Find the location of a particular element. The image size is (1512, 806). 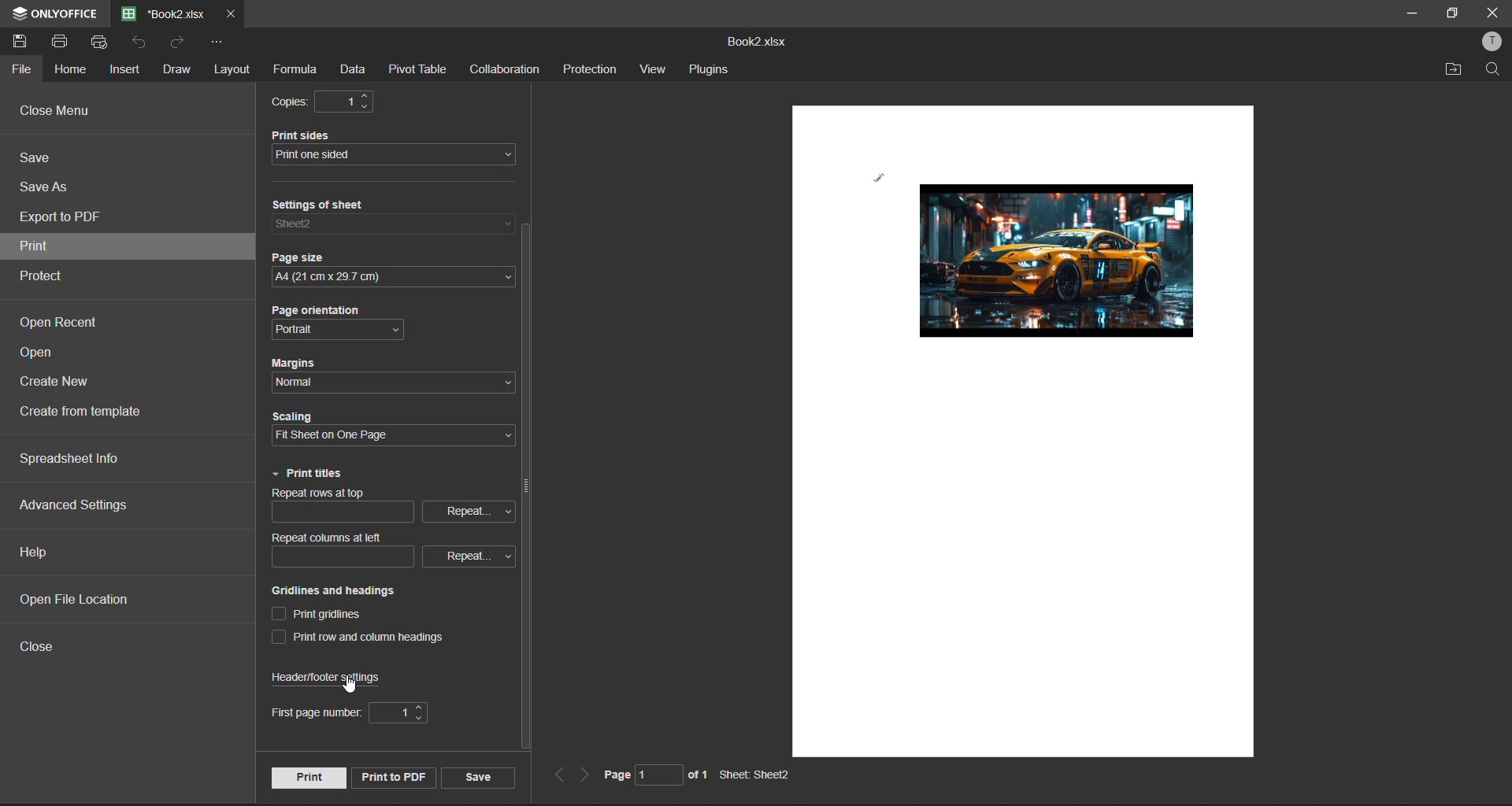

close menu is located at coordinates (57, 110).